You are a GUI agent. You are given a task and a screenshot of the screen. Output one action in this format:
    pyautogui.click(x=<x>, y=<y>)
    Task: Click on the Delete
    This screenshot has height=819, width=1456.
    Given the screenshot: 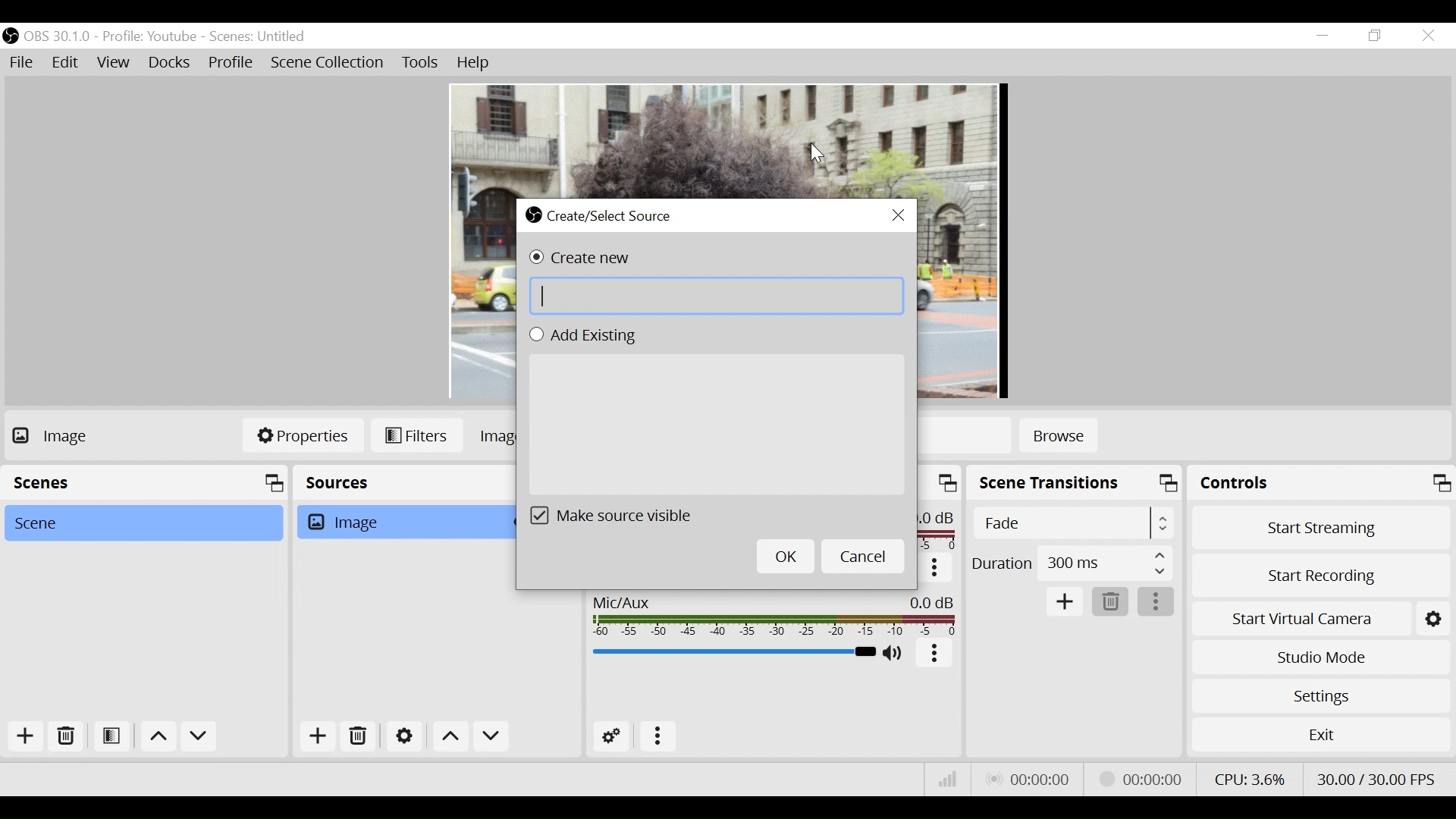 What is the action you would take?
    pyautogui.click(x=68, y=738)
    